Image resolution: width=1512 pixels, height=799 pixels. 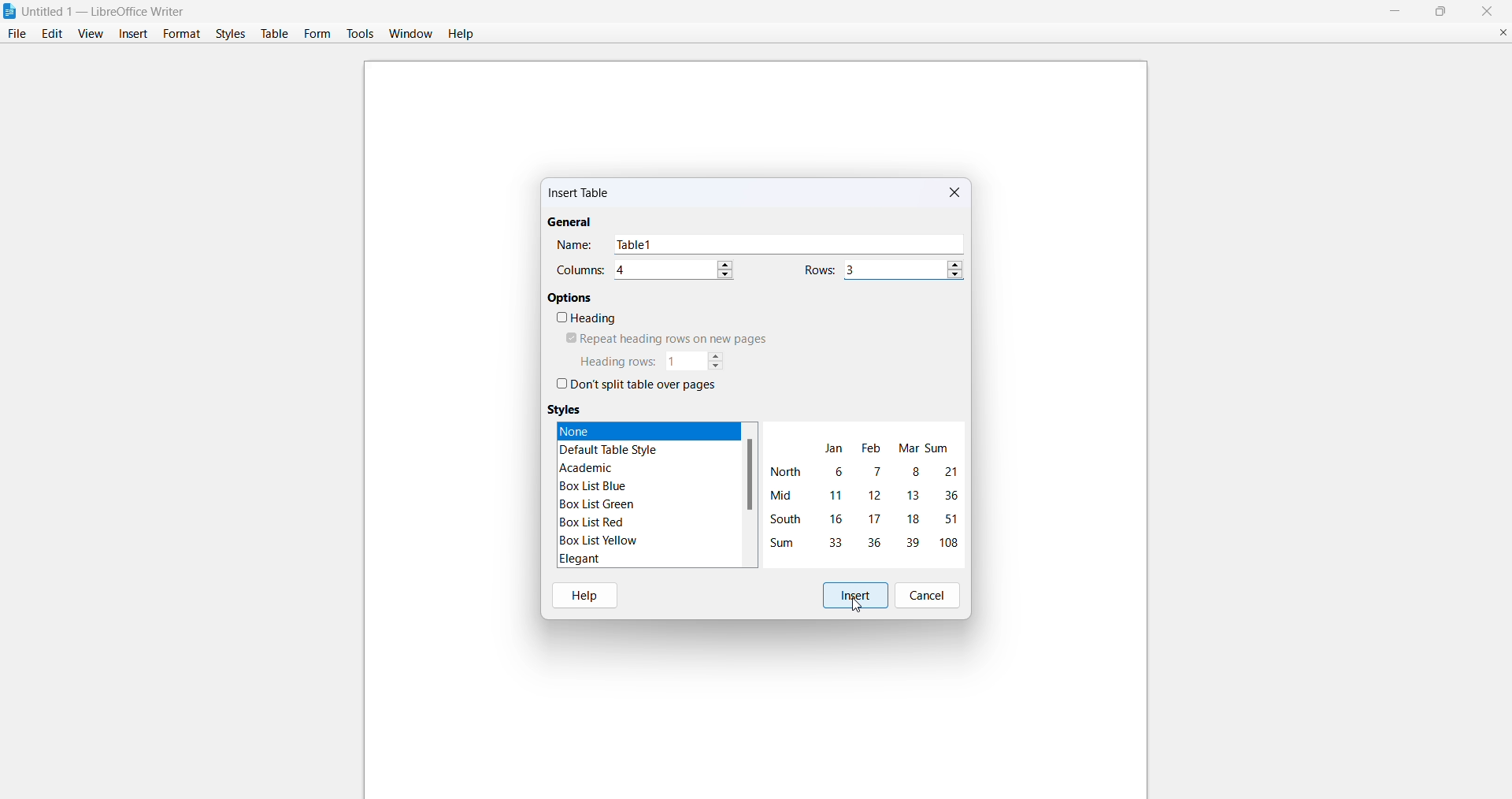 I want to click on insert, so click(x=134, y=33).